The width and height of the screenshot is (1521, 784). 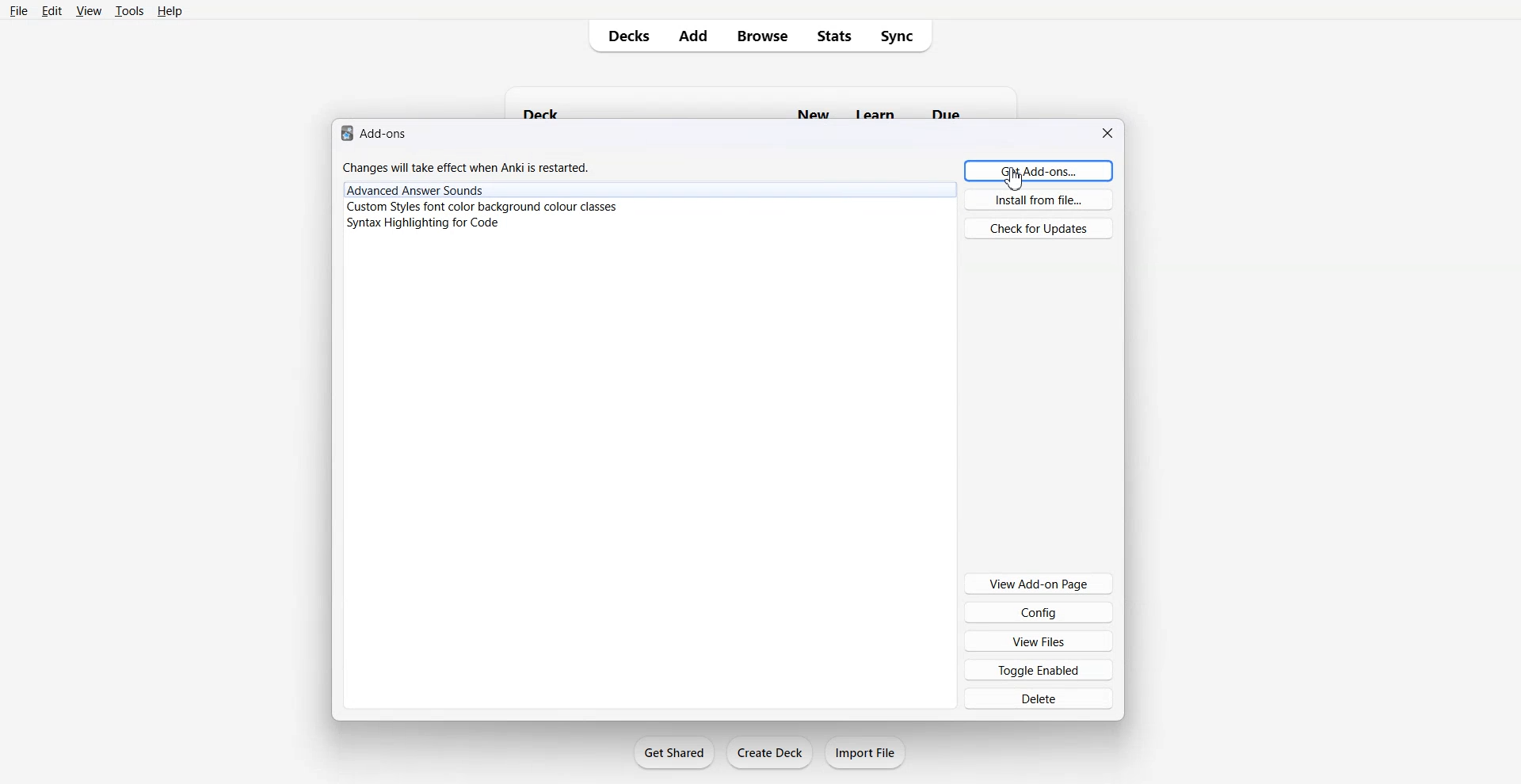 What do you see at coordinates (811, 113) in the screenshot?
I see `new` at bounding box center [811, 113].